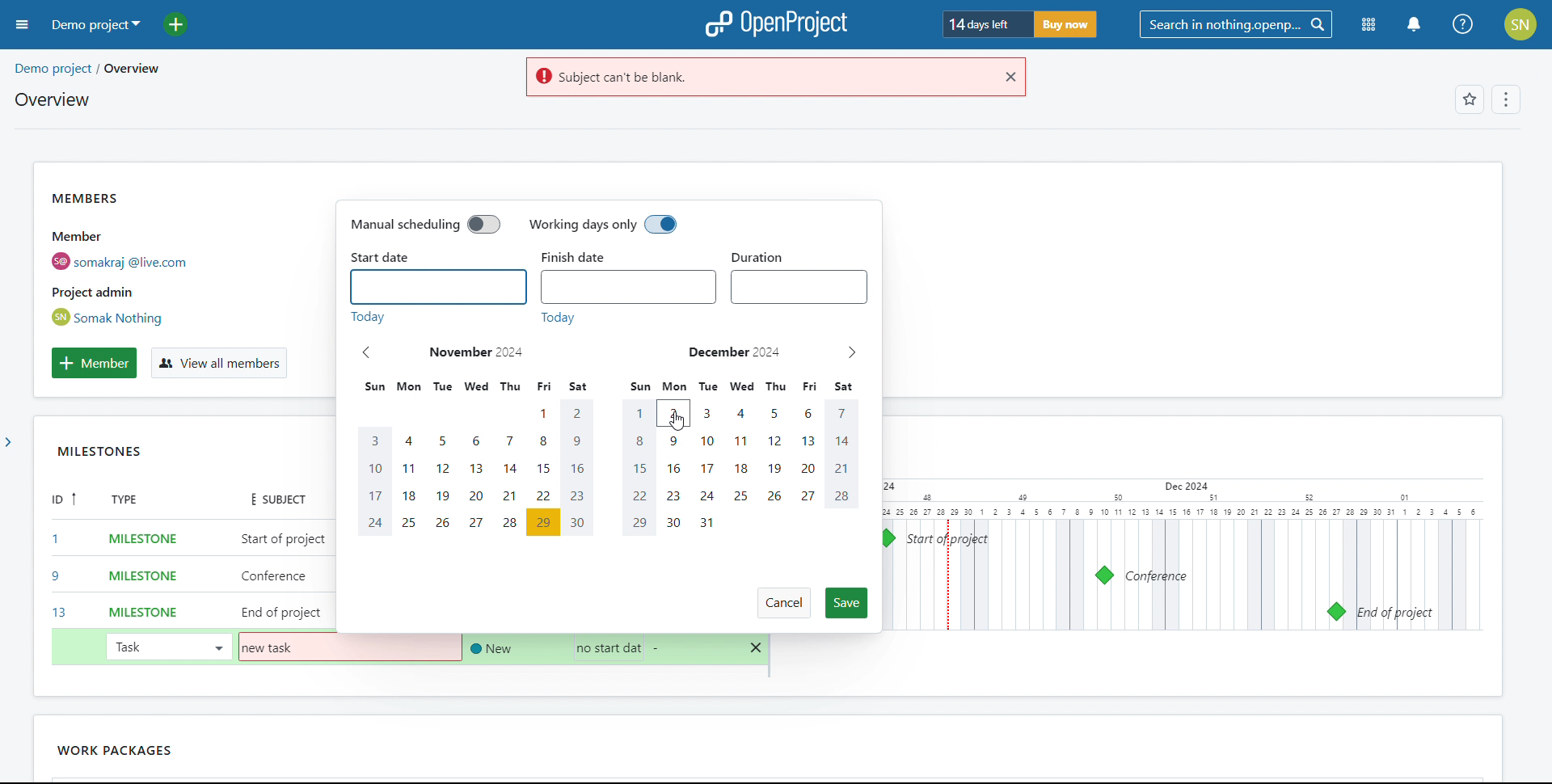 Image resolution: width=1552 pixels, height=784 pixels. I want to click on favorites, so click(1469, 101).